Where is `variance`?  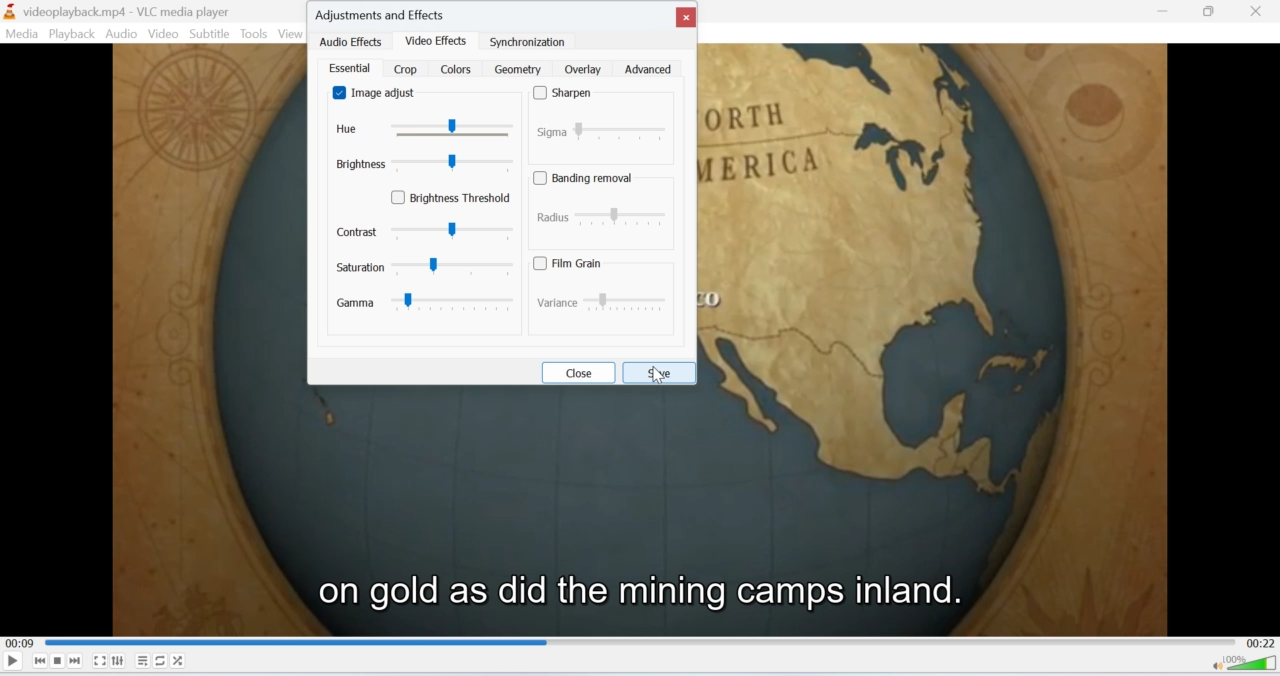
variance is located at coordinates (599, 302).